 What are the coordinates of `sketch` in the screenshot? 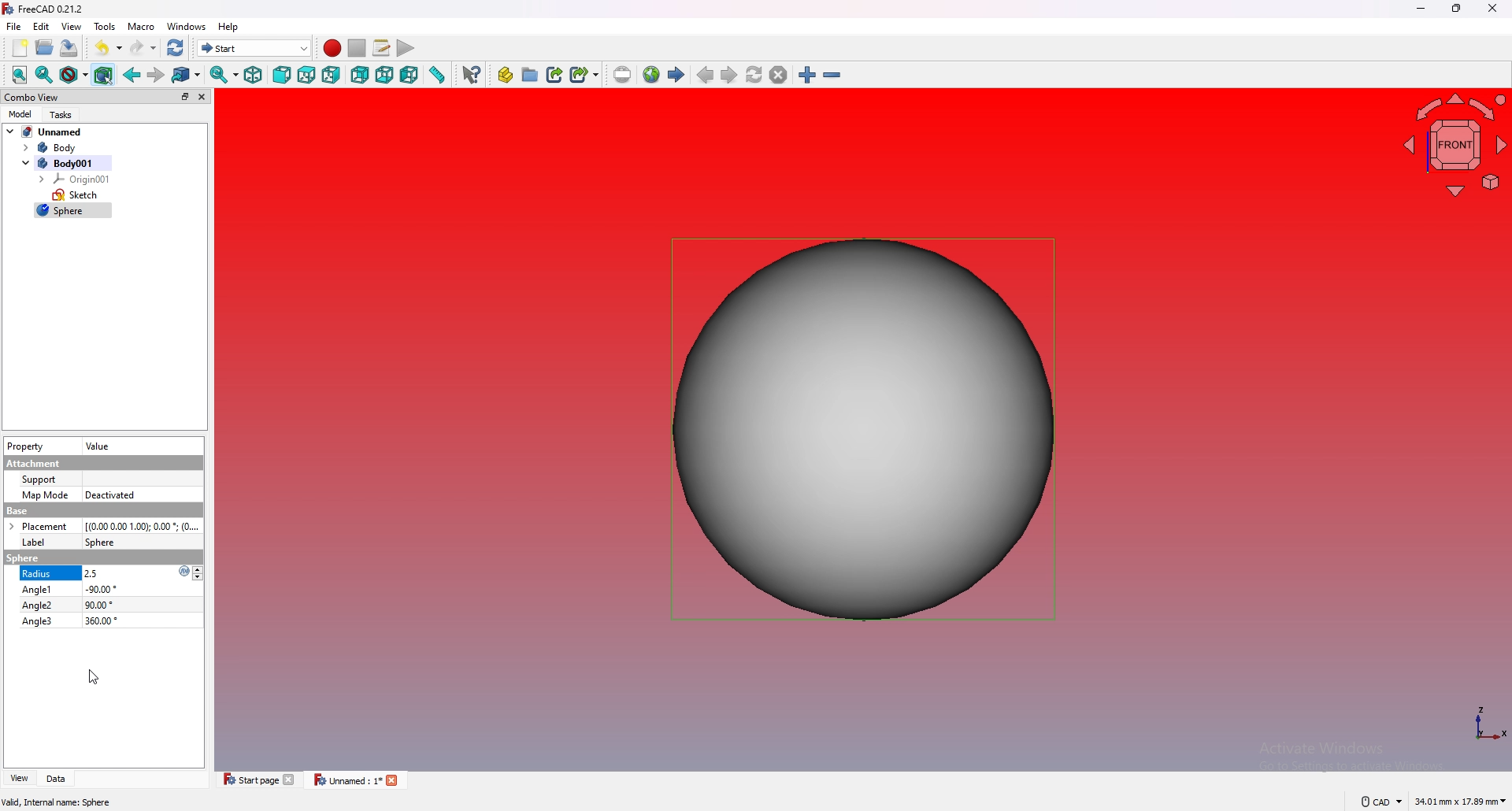 It's located at (76, 195).